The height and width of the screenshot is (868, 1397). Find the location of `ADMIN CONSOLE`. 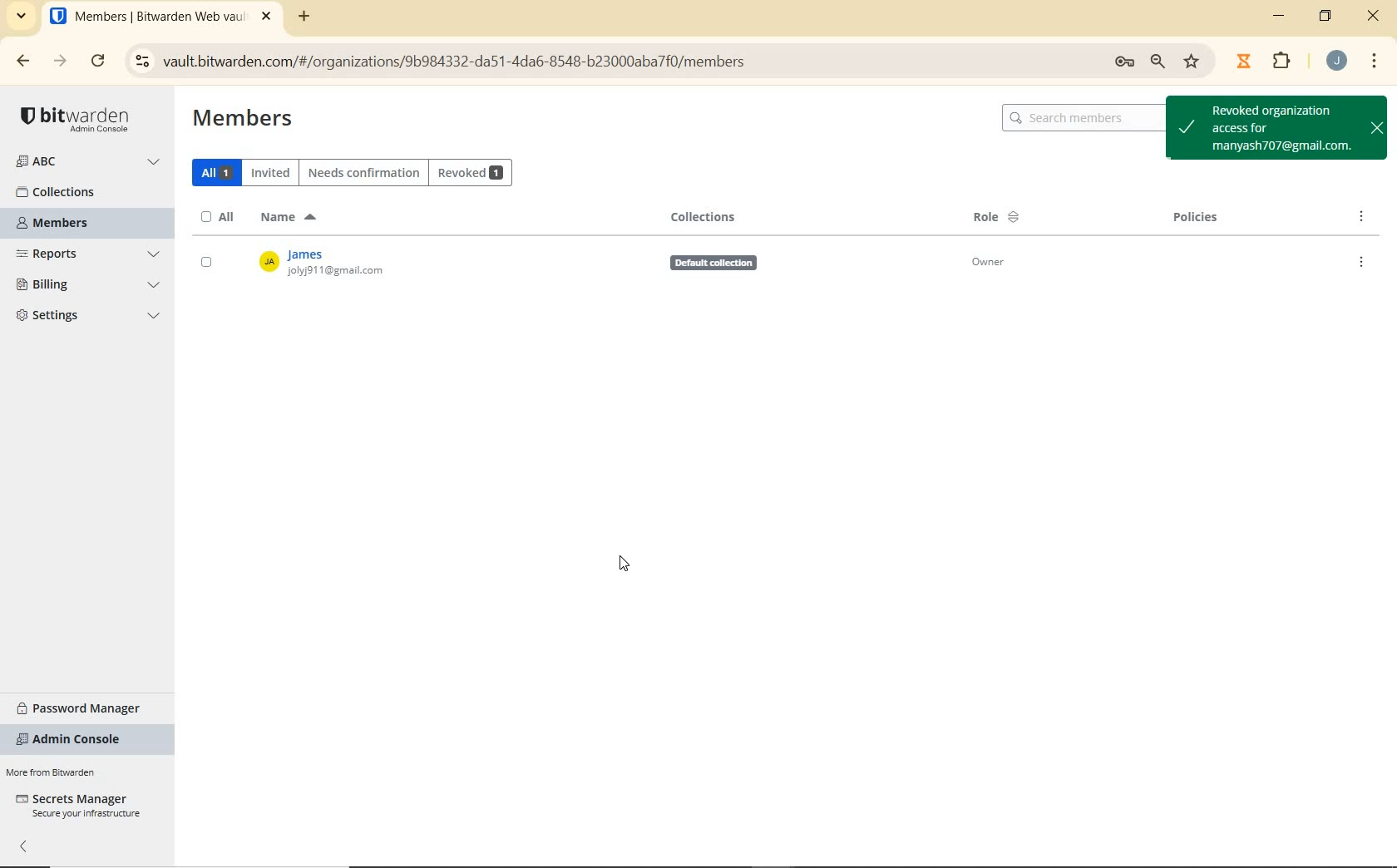

ADMIN CONSOLE is located at coordinates (74, 740).